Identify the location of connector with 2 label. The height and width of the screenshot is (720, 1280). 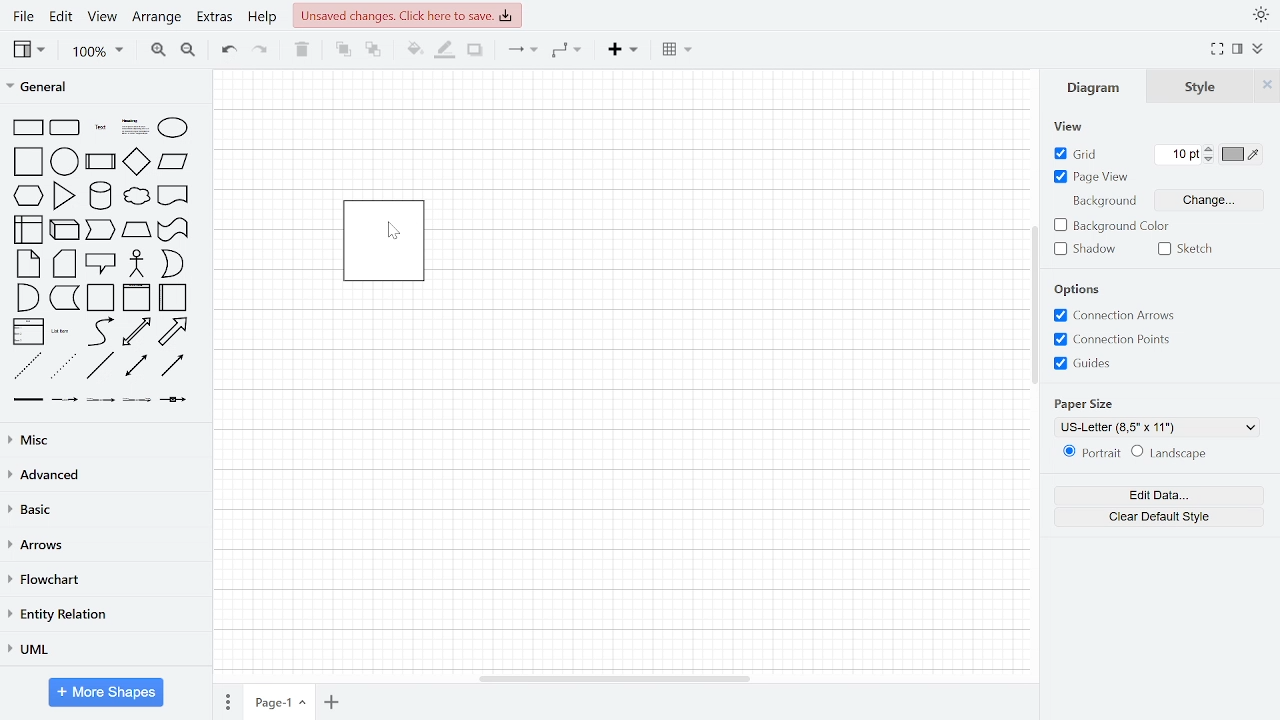
(102, 401).